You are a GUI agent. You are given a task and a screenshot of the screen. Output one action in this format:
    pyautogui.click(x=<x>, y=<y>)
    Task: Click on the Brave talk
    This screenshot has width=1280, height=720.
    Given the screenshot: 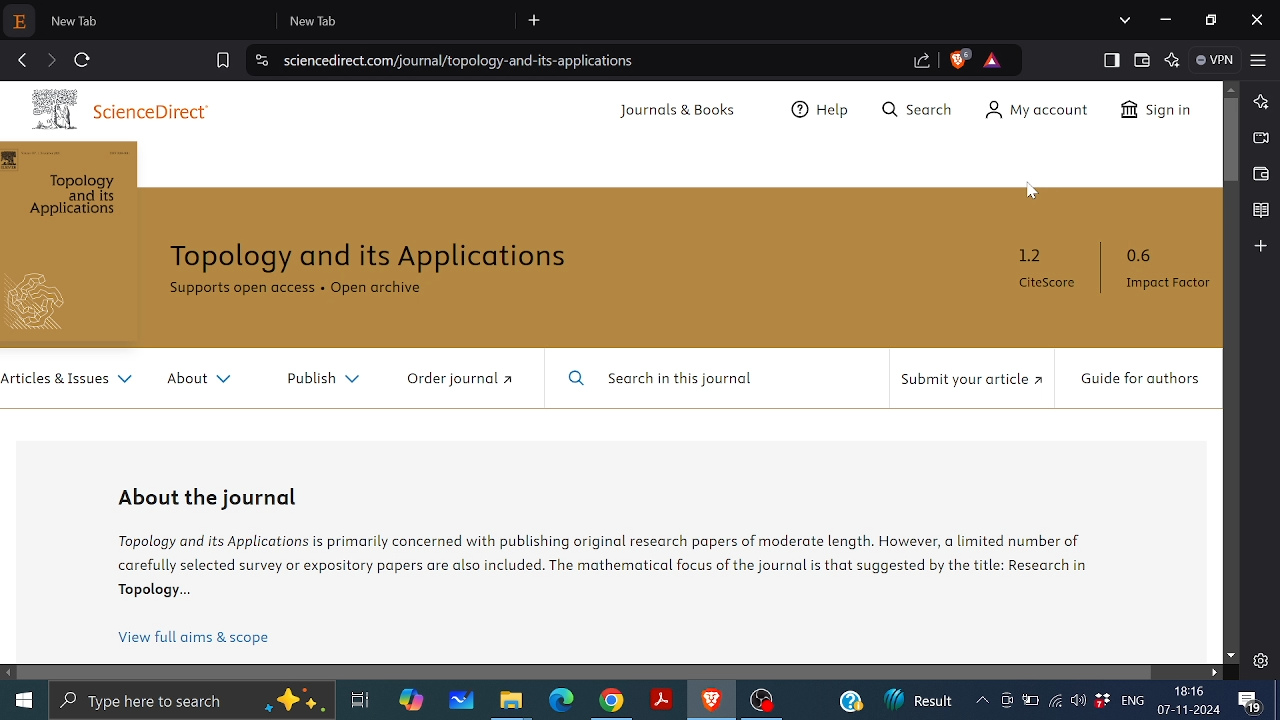 What is the action you would take?
    pyautogui.click(x=1259, y=137)
    